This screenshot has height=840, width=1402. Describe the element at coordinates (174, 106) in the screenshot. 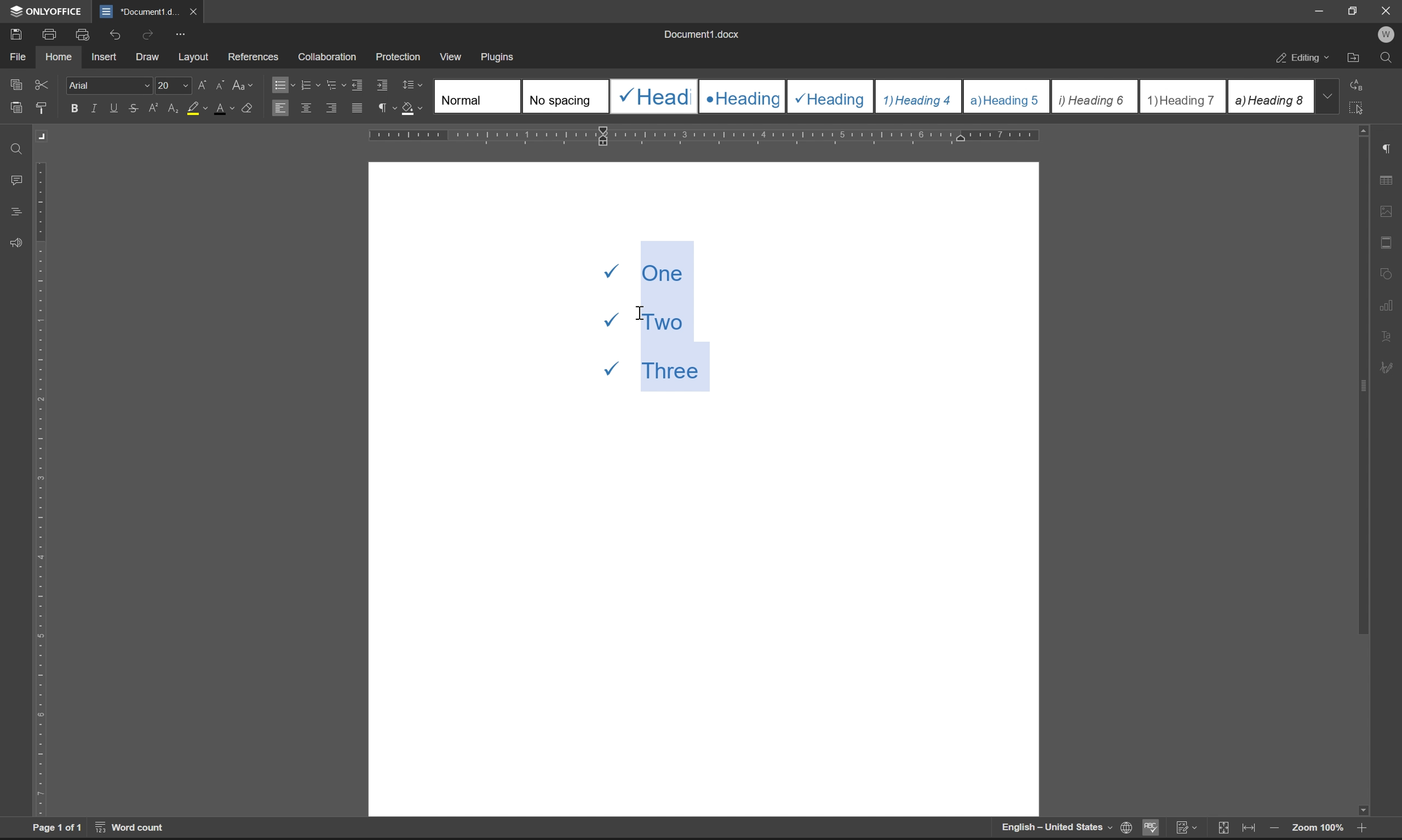

I see `subscript` at that location.